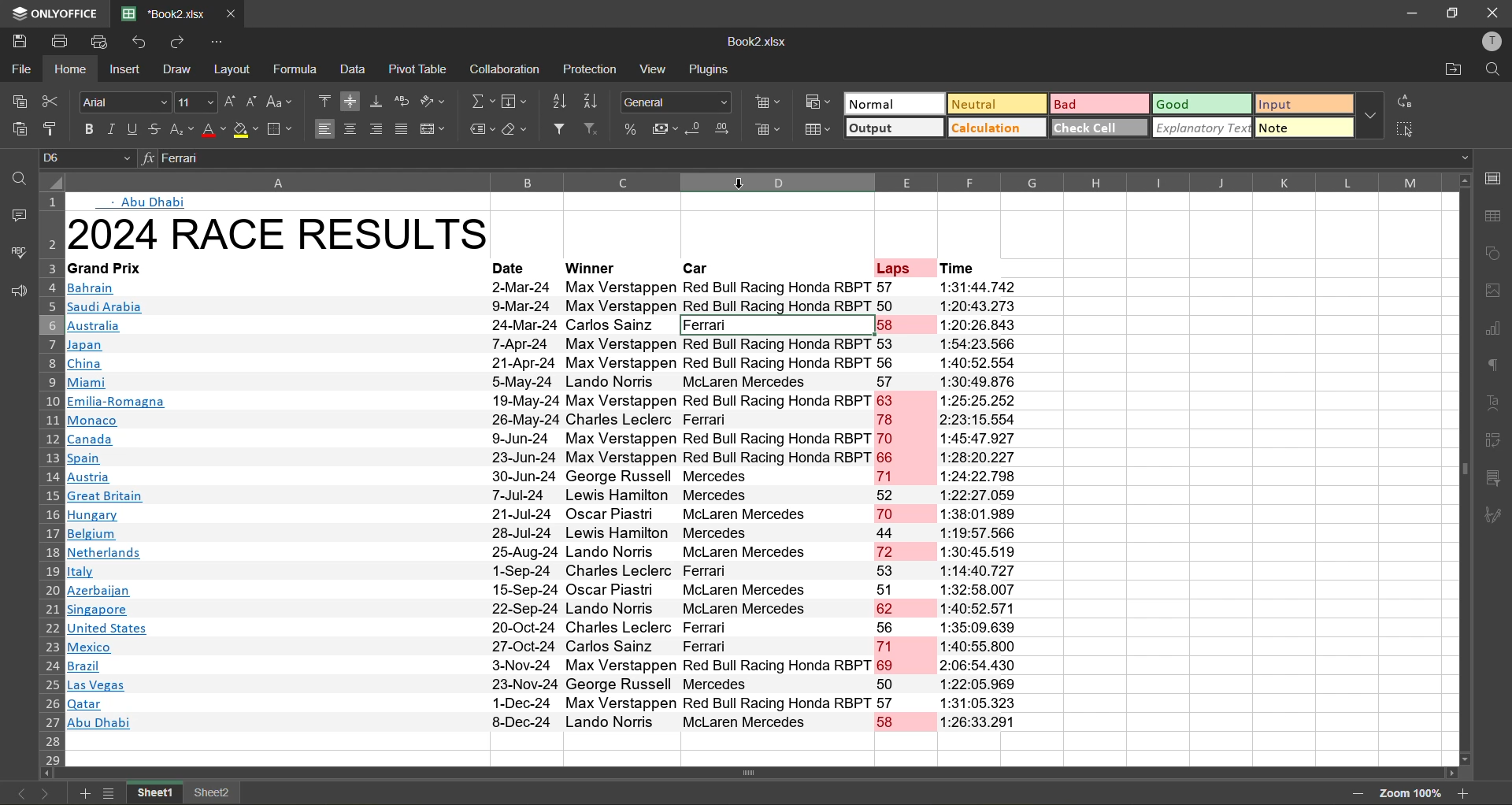 This screenshot has height=805, width=1512. What do you see at coordinates (1304, 128) in the screenshot?
I see `note` at bounding box center [1304, 128].